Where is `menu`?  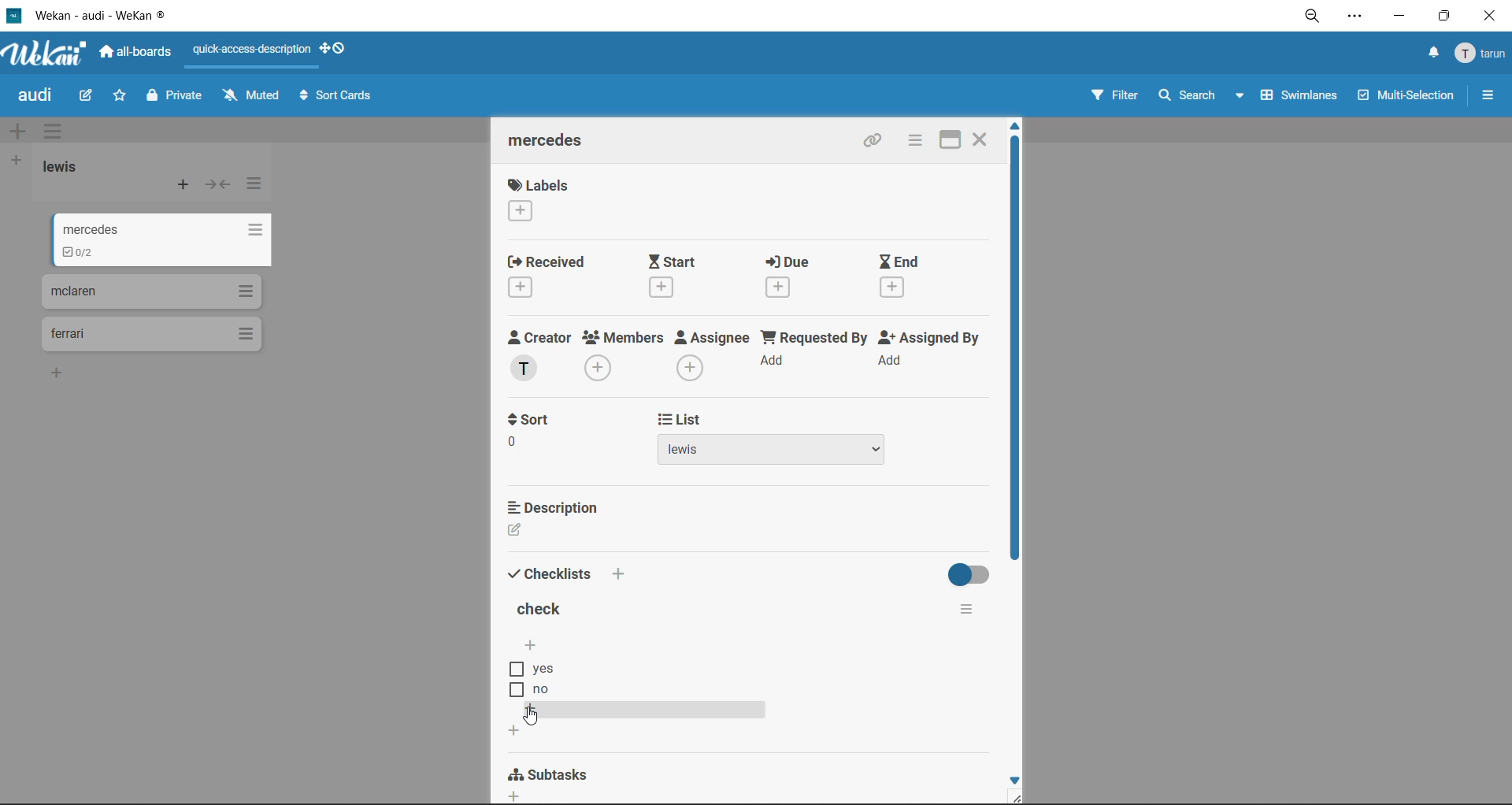 menu is located at coordinates (1479, 54).